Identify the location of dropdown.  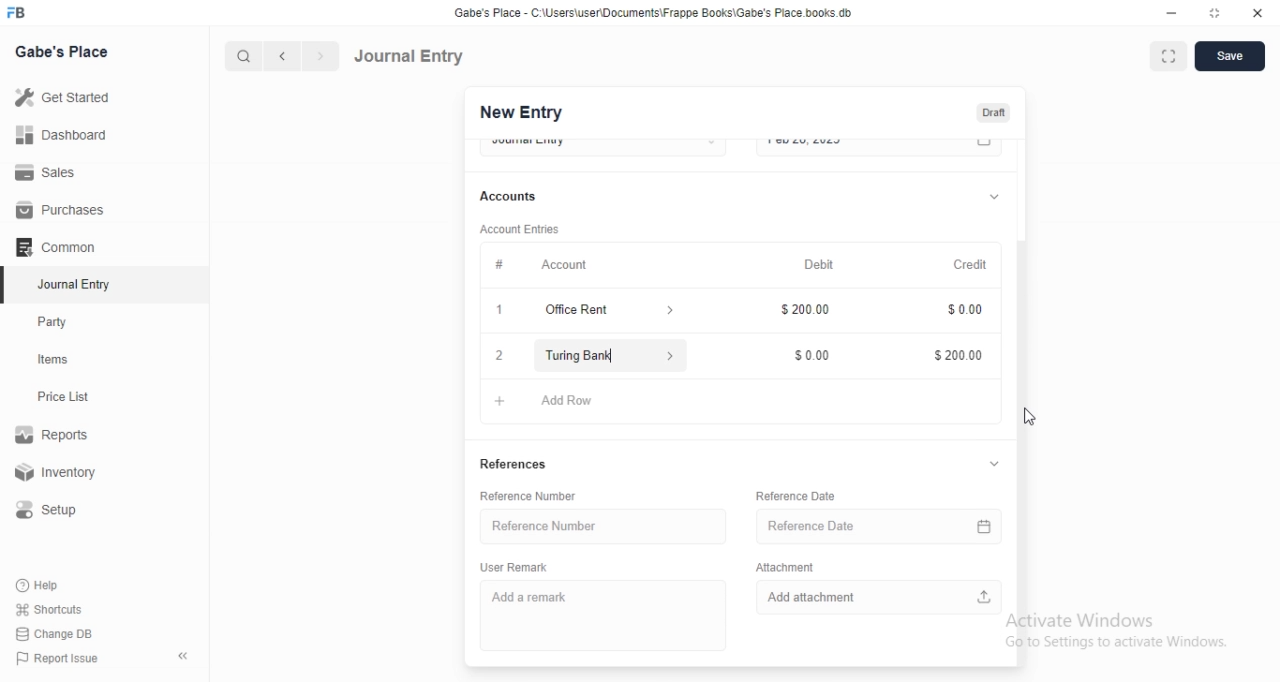
(992, 195).